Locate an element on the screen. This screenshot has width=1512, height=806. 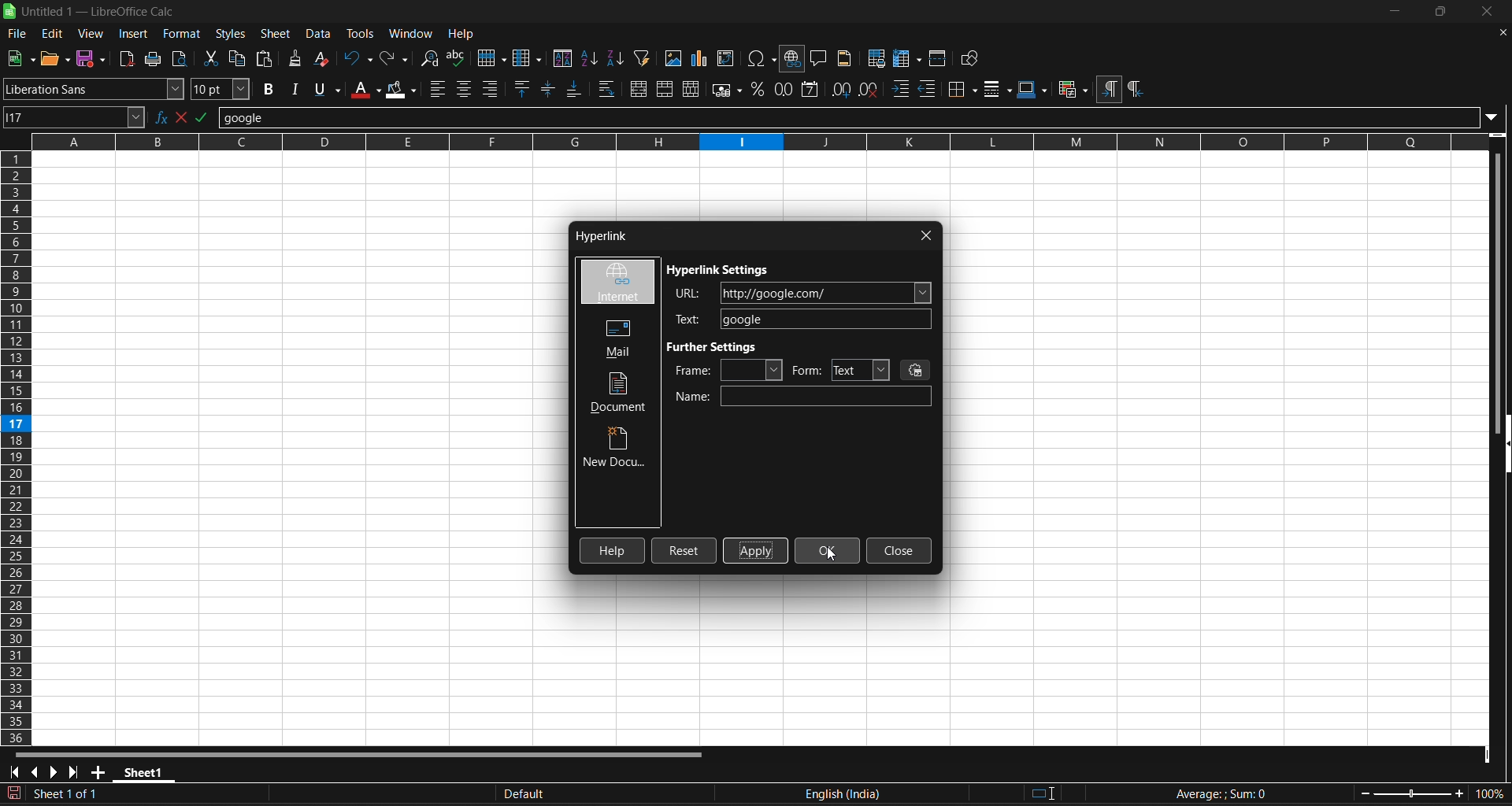
border colors is located at coordinates (1033, 90).